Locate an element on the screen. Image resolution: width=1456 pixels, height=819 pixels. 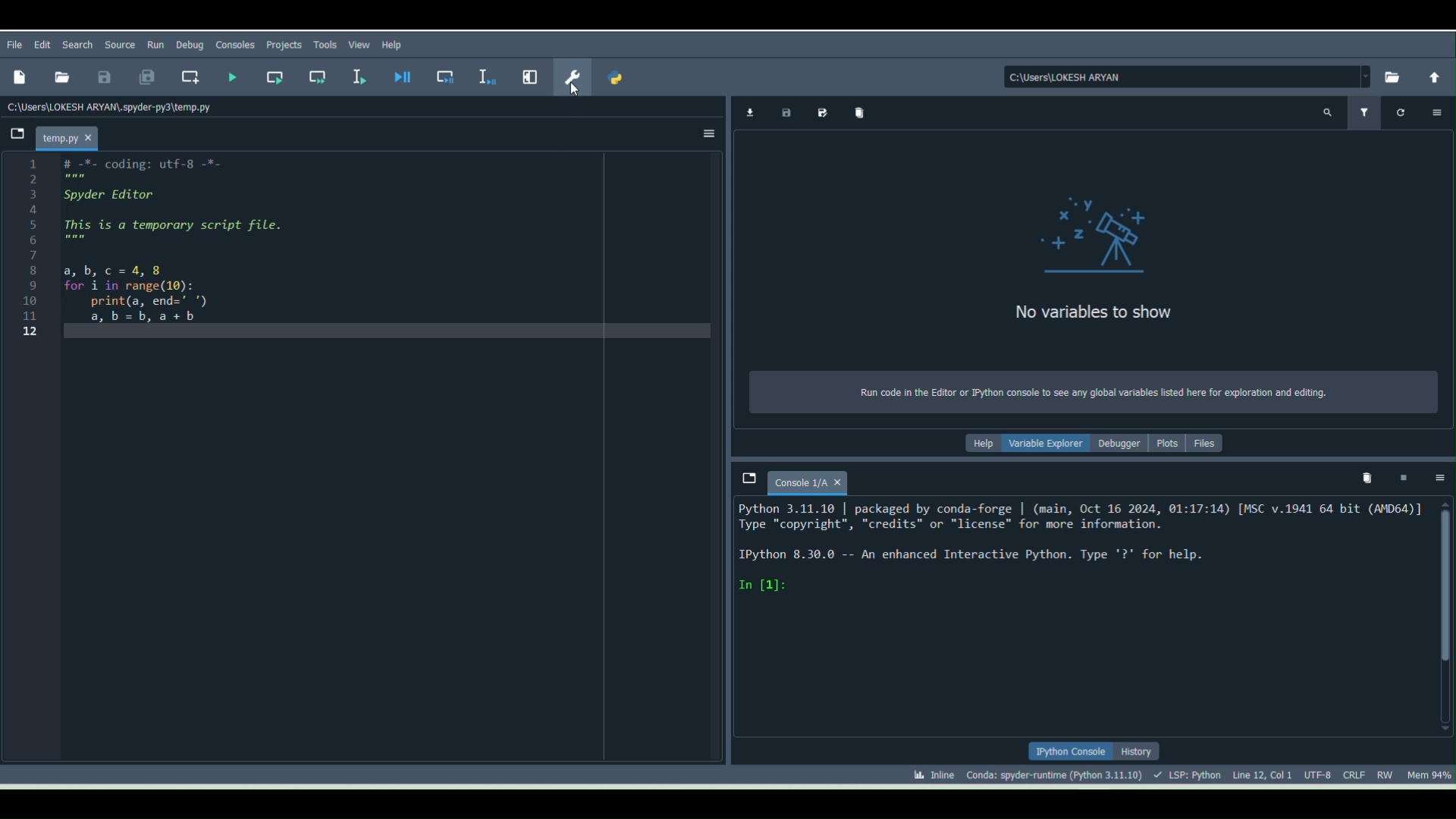
Browse tabs is located at coordinates (748, 479).